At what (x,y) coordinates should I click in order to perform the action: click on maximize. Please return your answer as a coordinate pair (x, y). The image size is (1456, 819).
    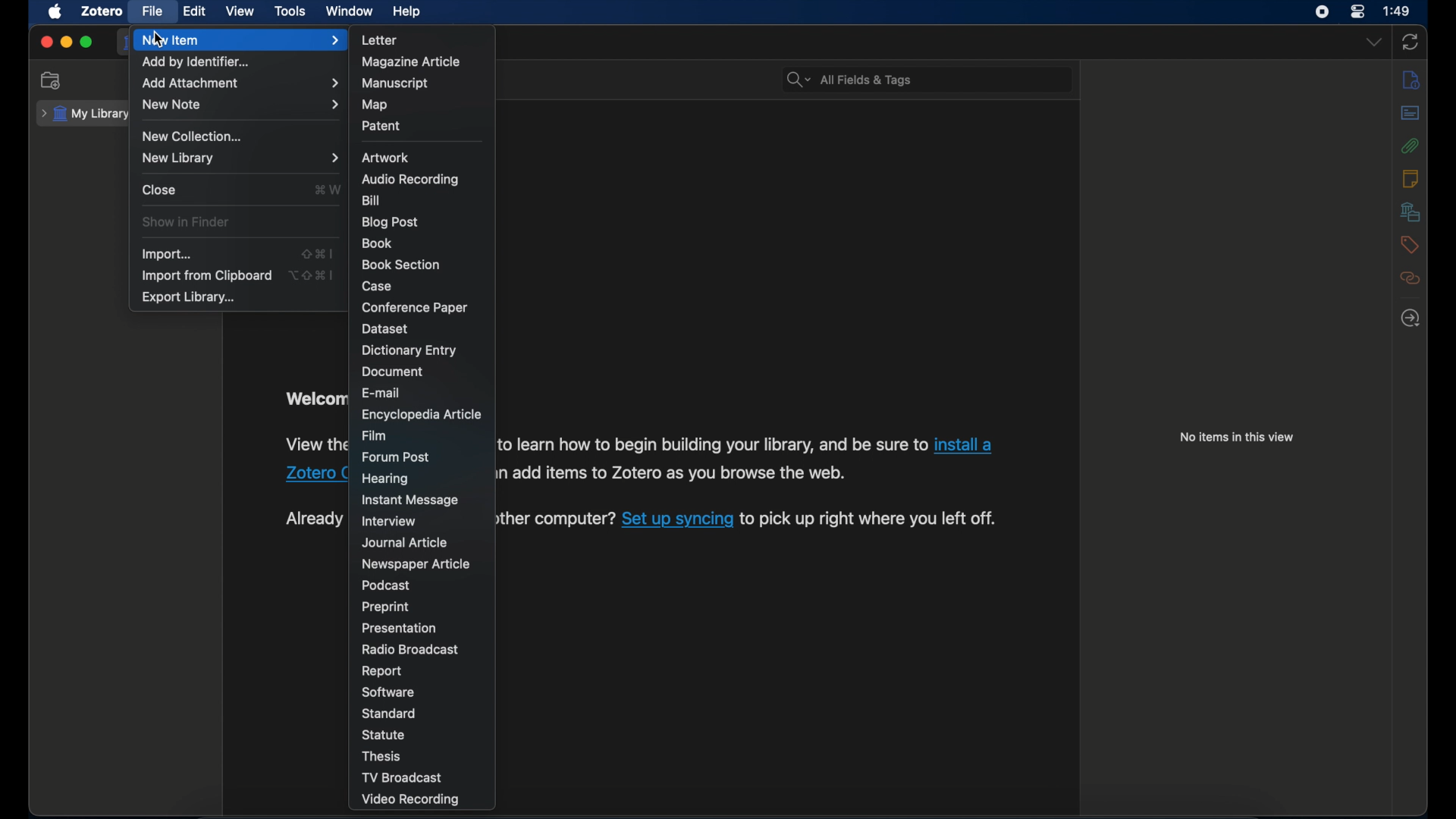
    Looking at the image, I should click on (86, 42).